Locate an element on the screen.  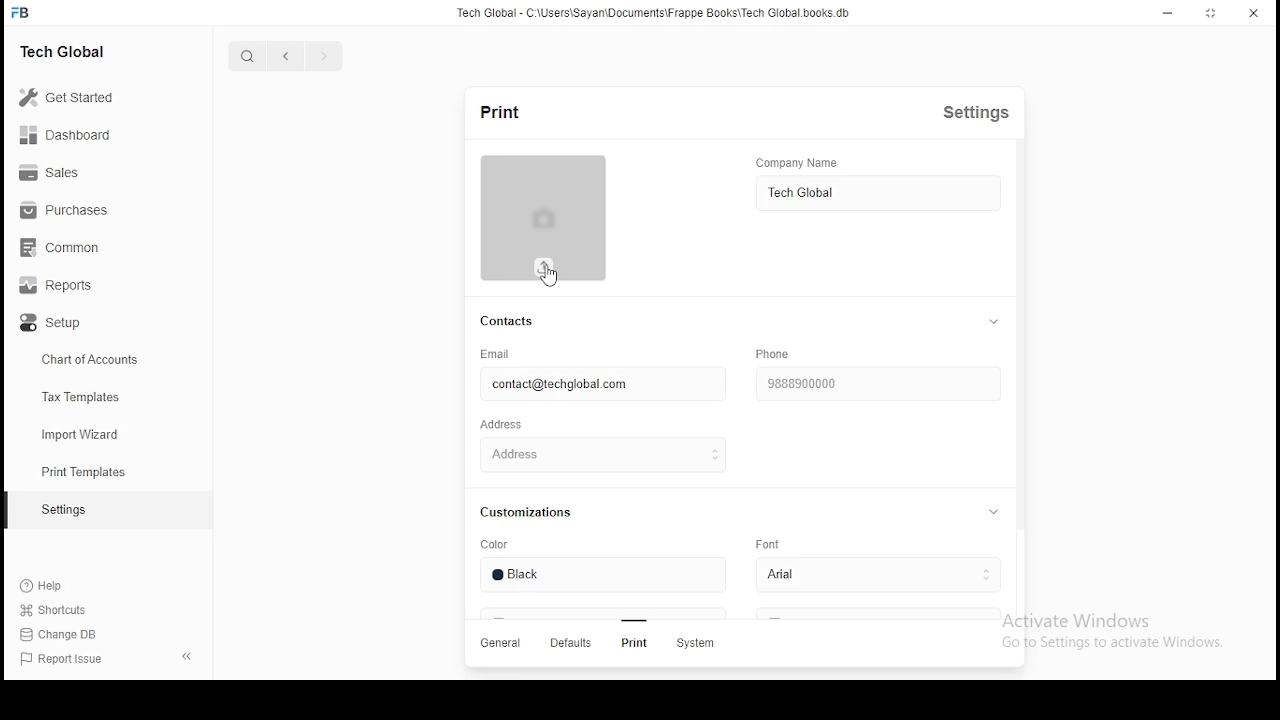
Purchases  is located at coordinates (80, 214).